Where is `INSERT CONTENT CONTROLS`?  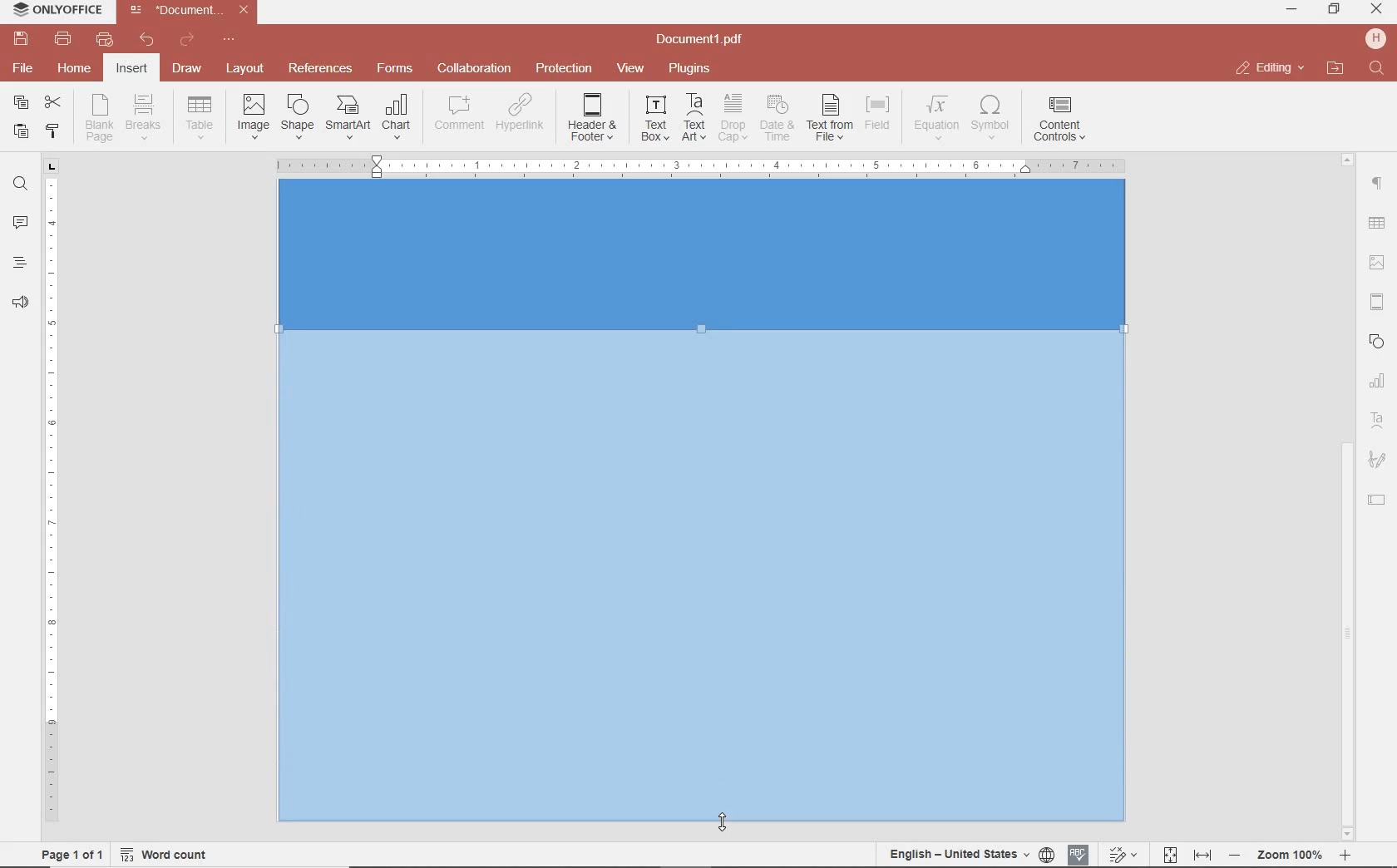 INSERT CONTENT CONTROLS is located at coordinates (1059, 120).